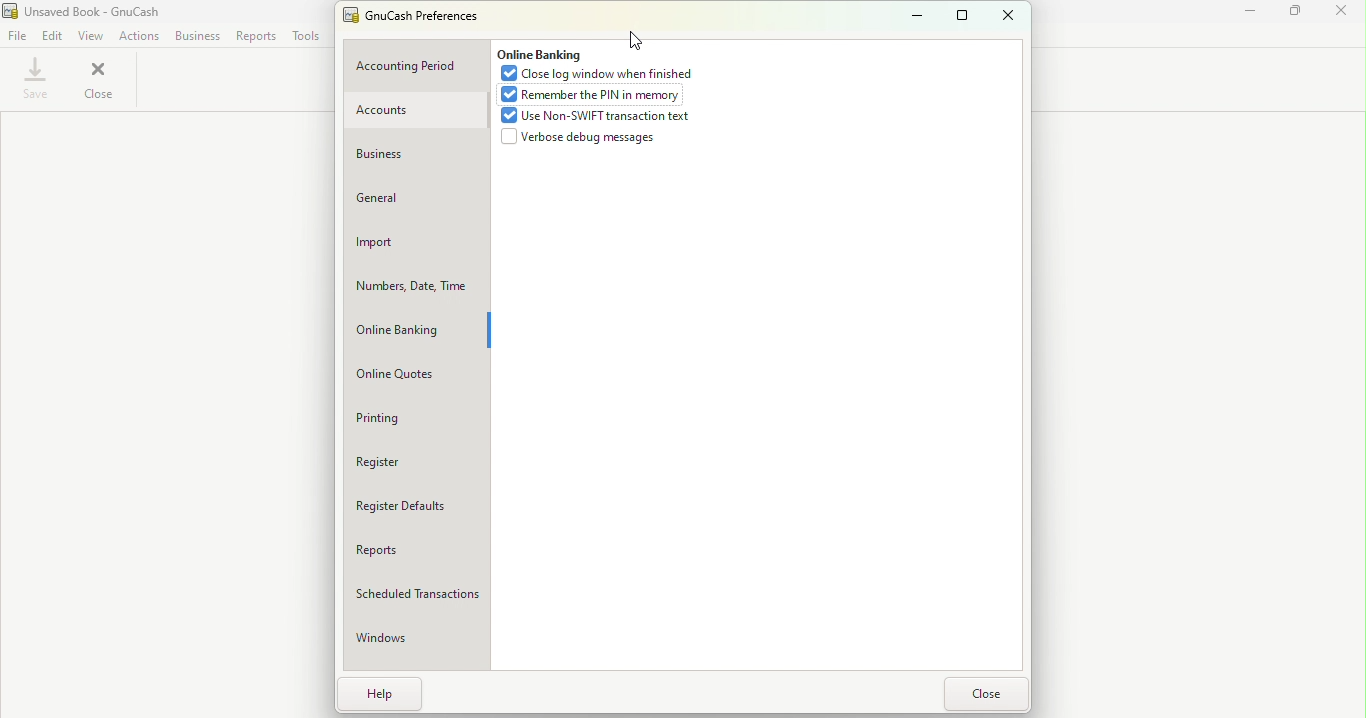  I want to click on Printing, so click(404, 420).